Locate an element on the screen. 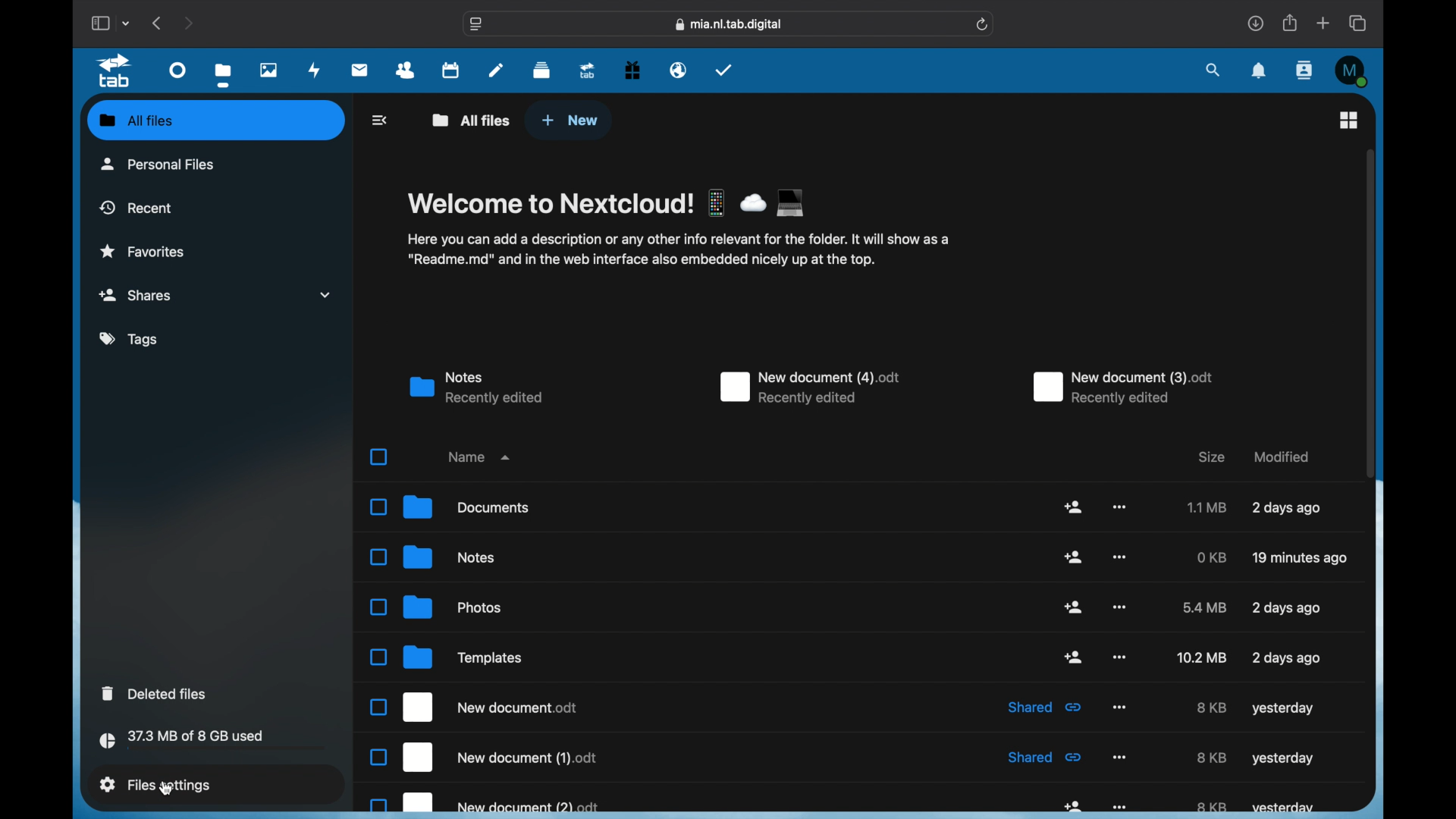  web address is located at coordinates (477, 25).